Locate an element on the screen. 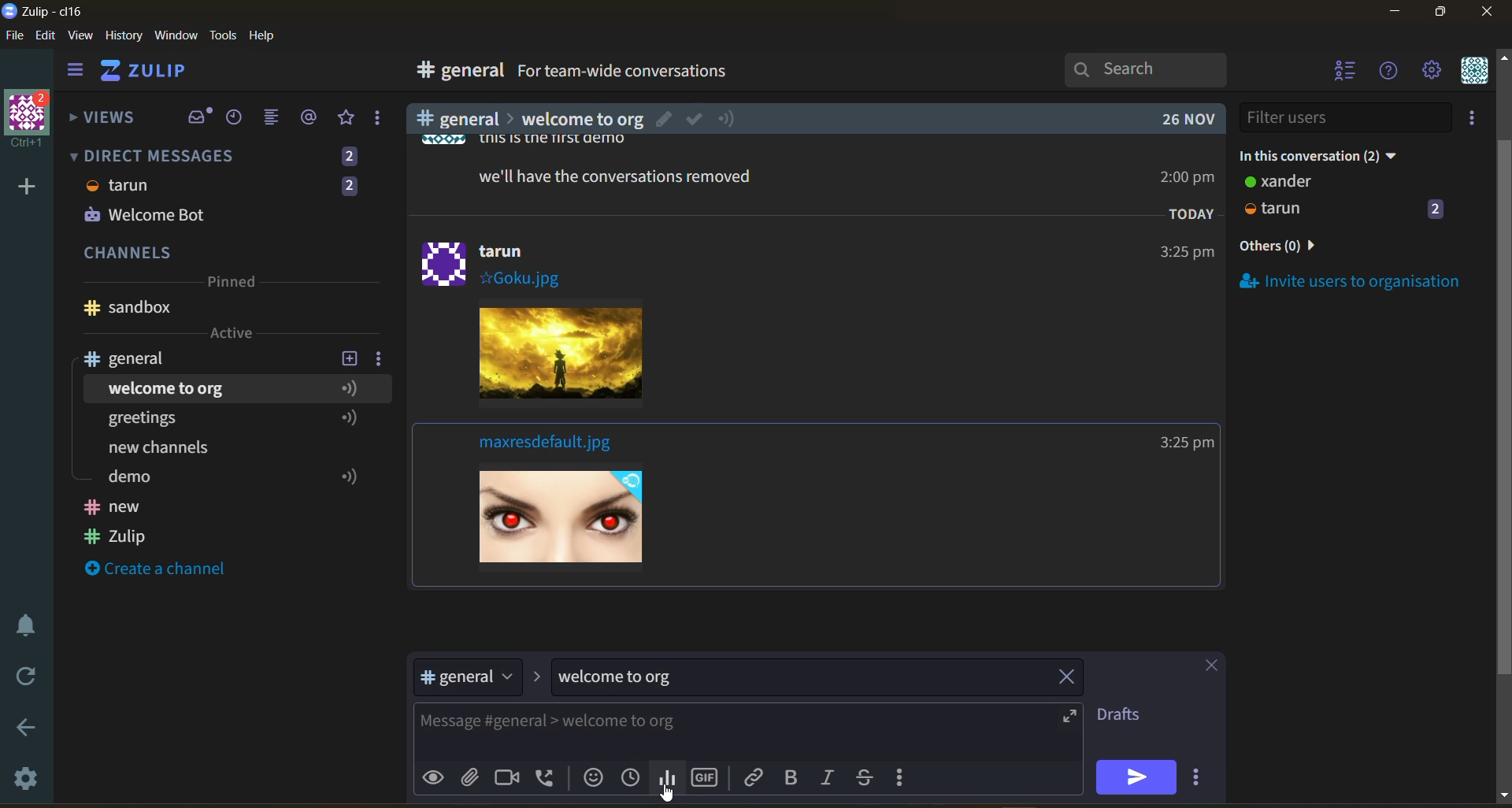 The image size is (1512, 808). channel settings is located at coordinates (382, 358).